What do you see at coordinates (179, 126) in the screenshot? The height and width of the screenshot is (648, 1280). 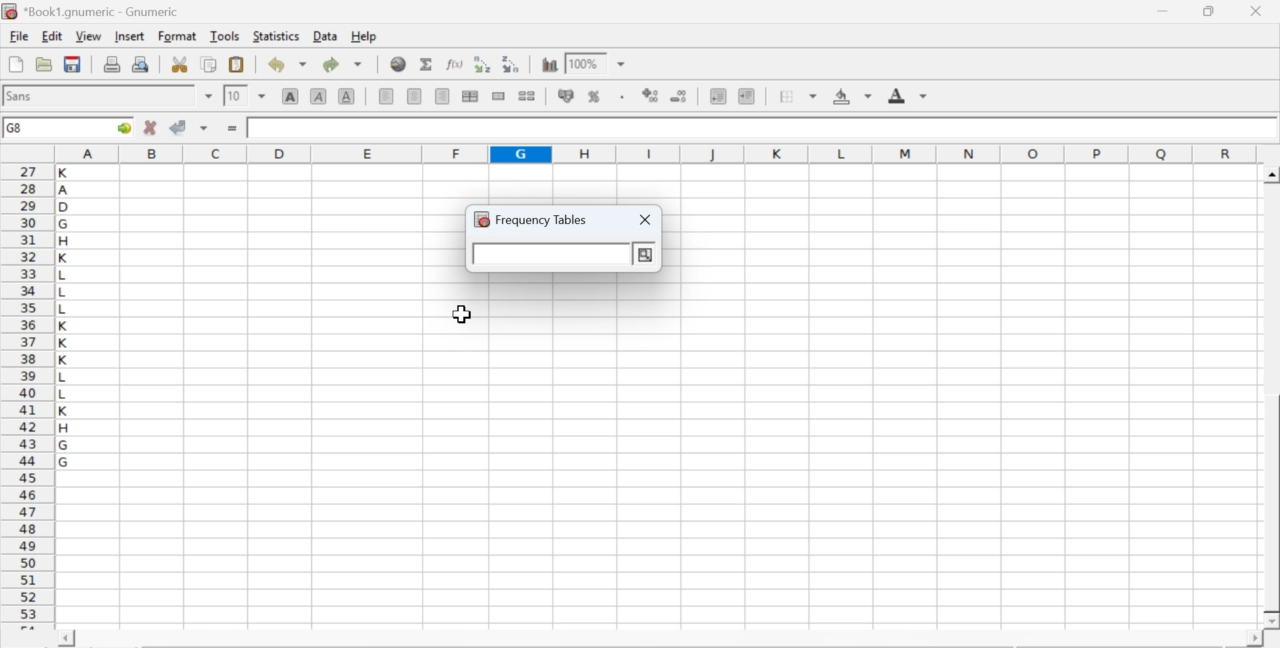 I see `accept changes` at bounding box center [179, 126].